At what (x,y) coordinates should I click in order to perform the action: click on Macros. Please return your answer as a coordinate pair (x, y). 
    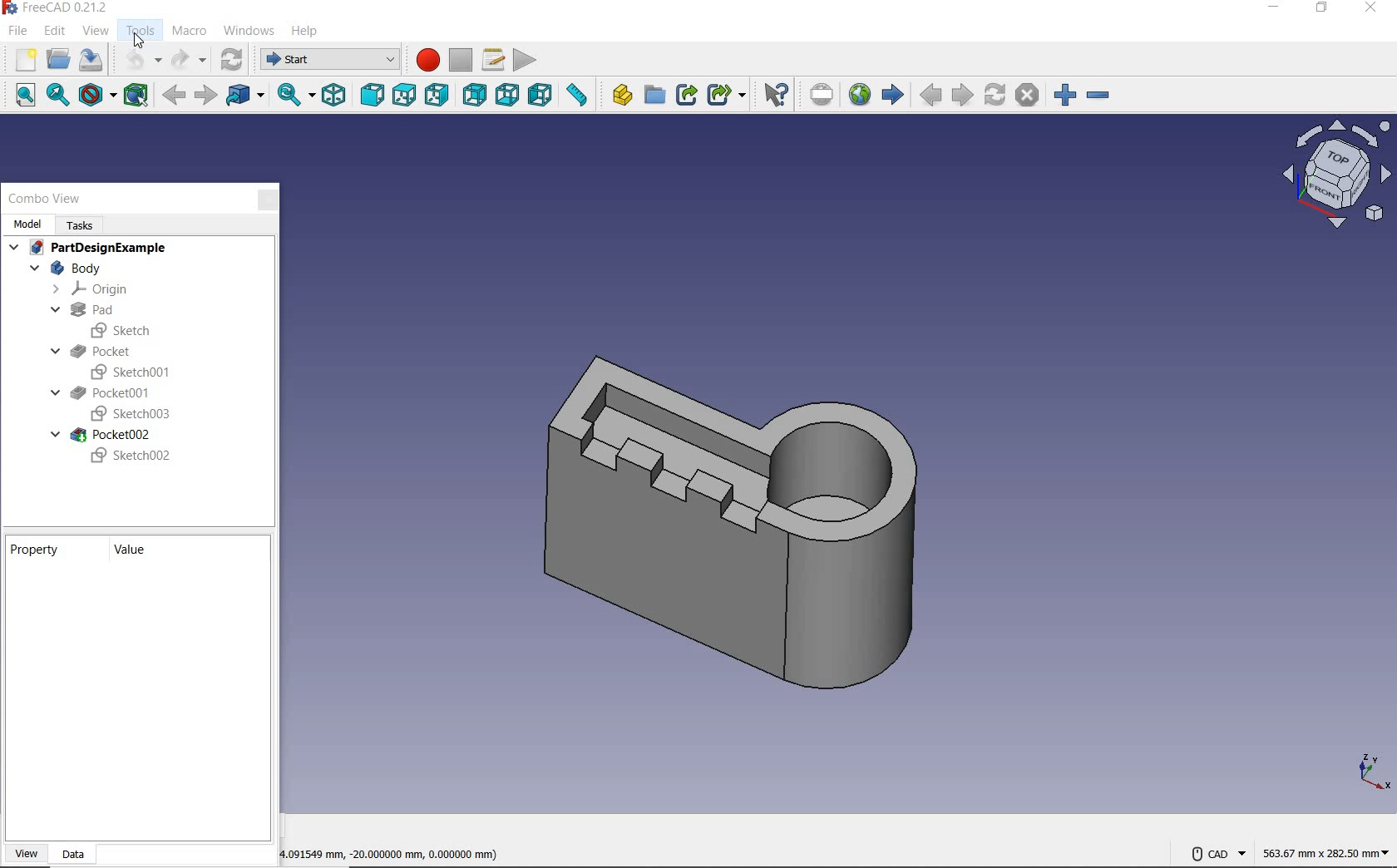
    Looking at the image, I should click on (494, 55).